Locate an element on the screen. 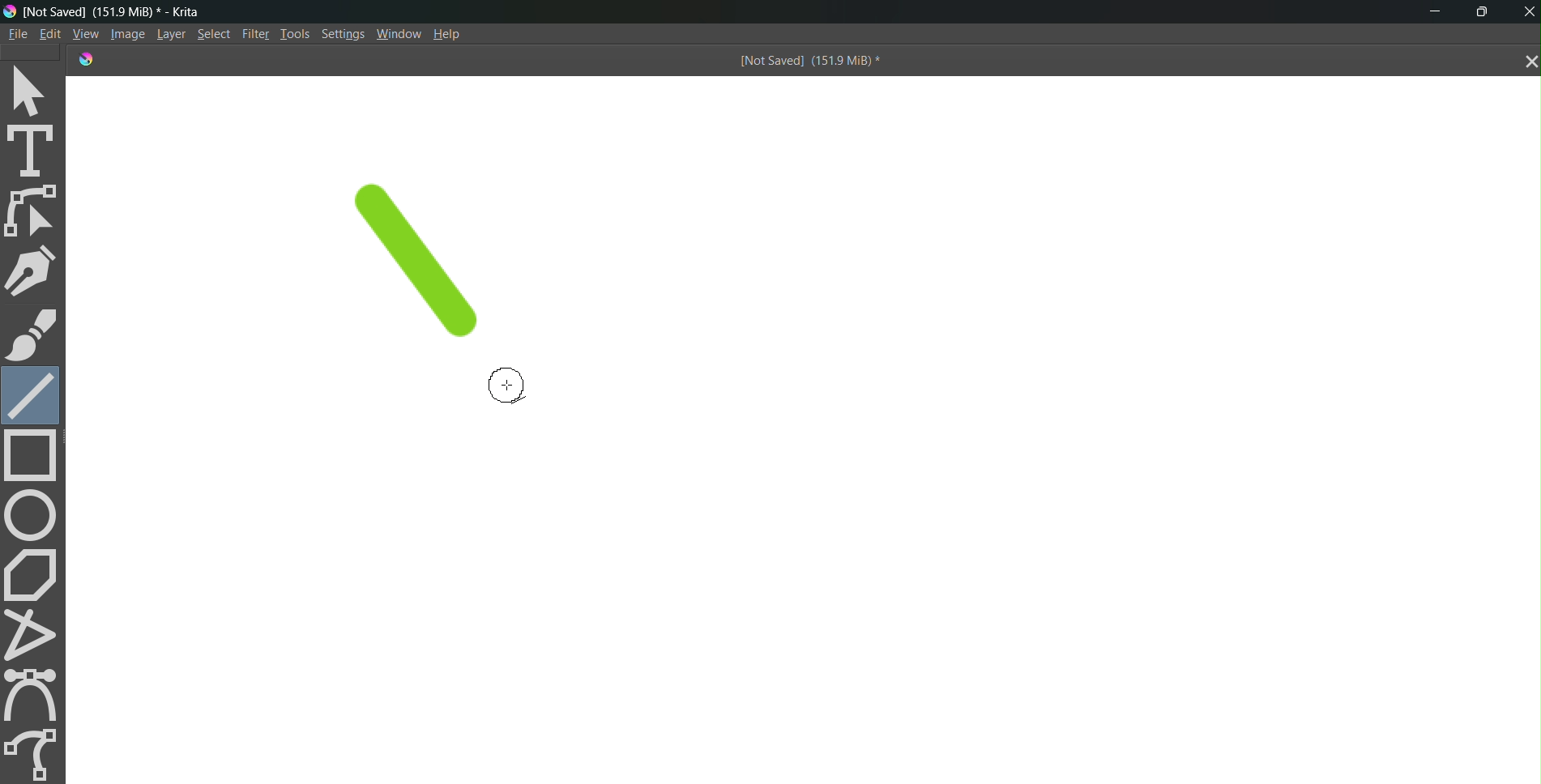 The height and width of the screenshot is (784, 1541). pen is located at coordinates (35, 271).